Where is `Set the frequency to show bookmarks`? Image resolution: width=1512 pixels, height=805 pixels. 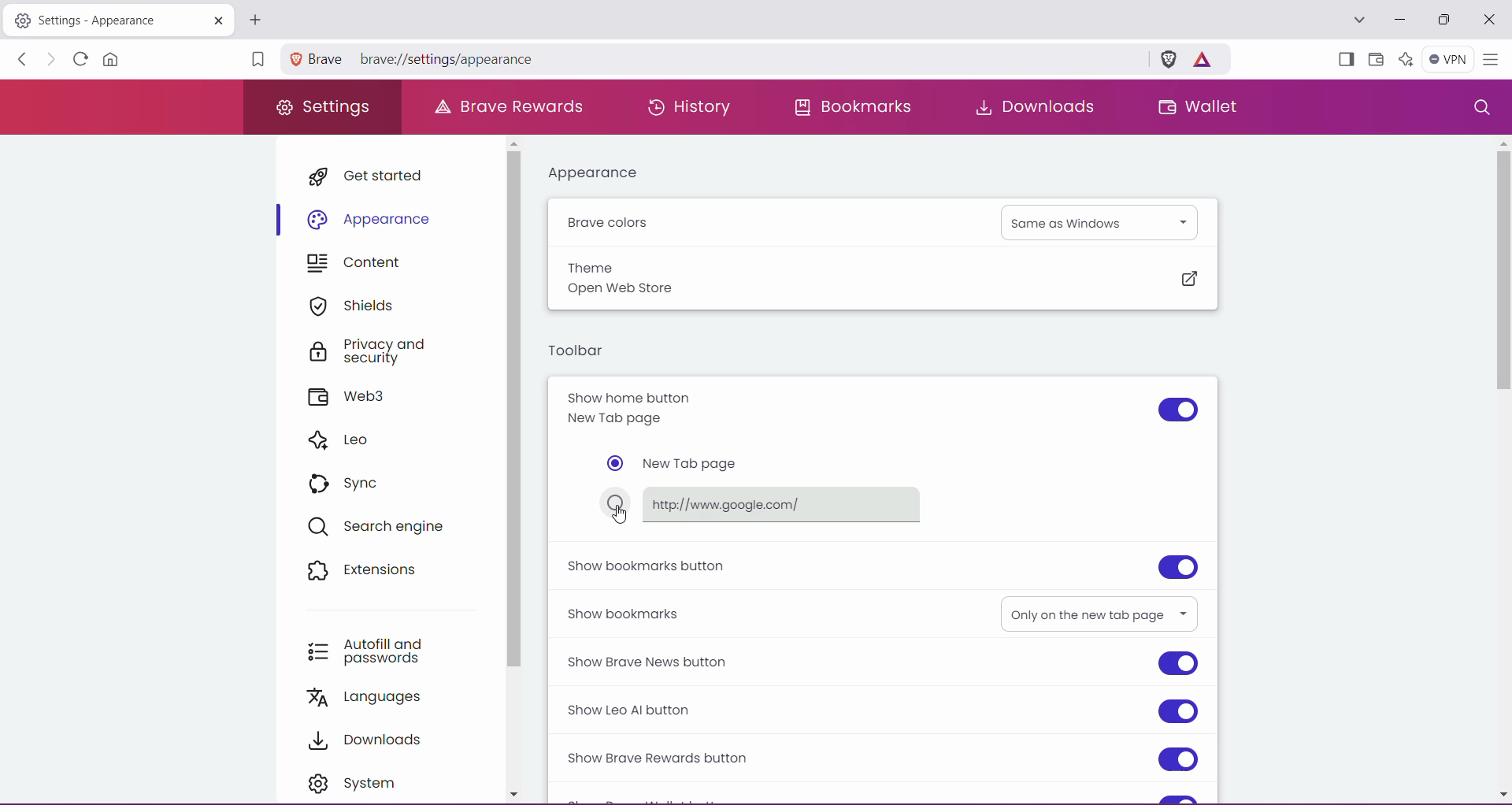 Set the frequency to show bookmarks is located at coordinates (1098, 613).